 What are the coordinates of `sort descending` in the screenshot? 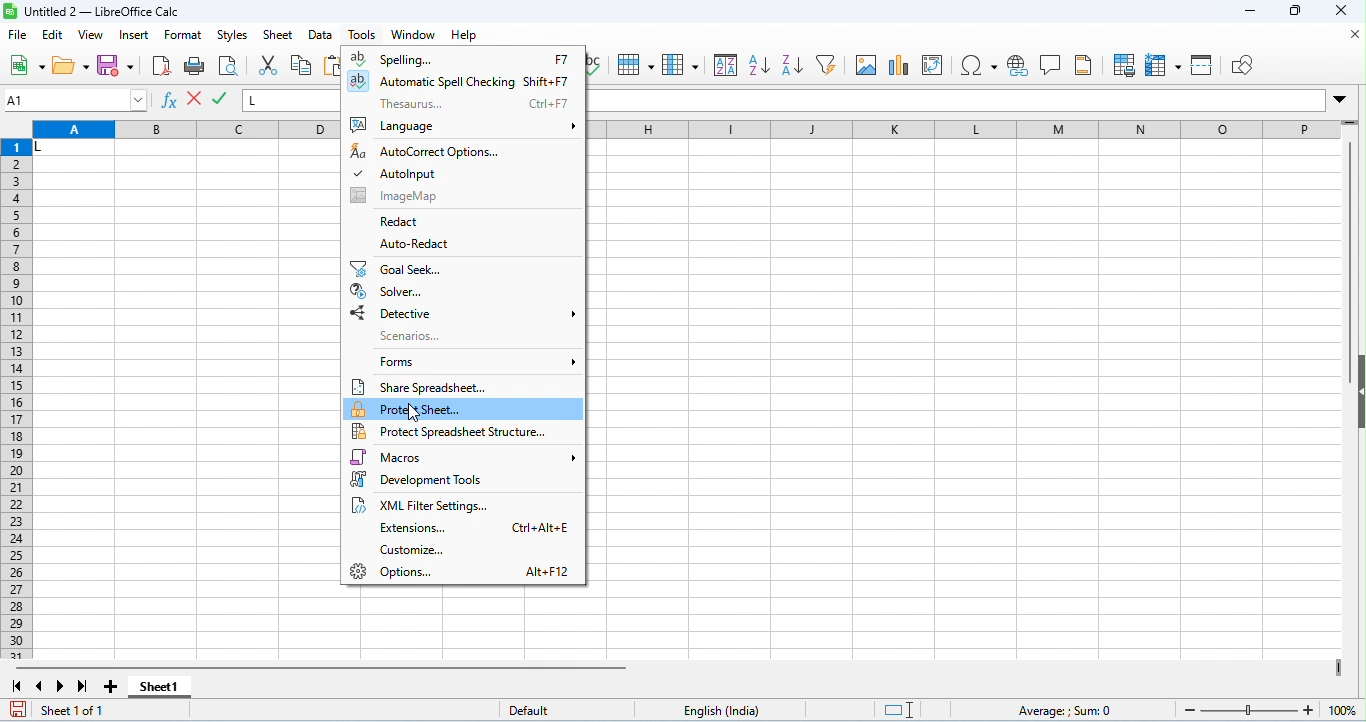 It's located at (791, 65).